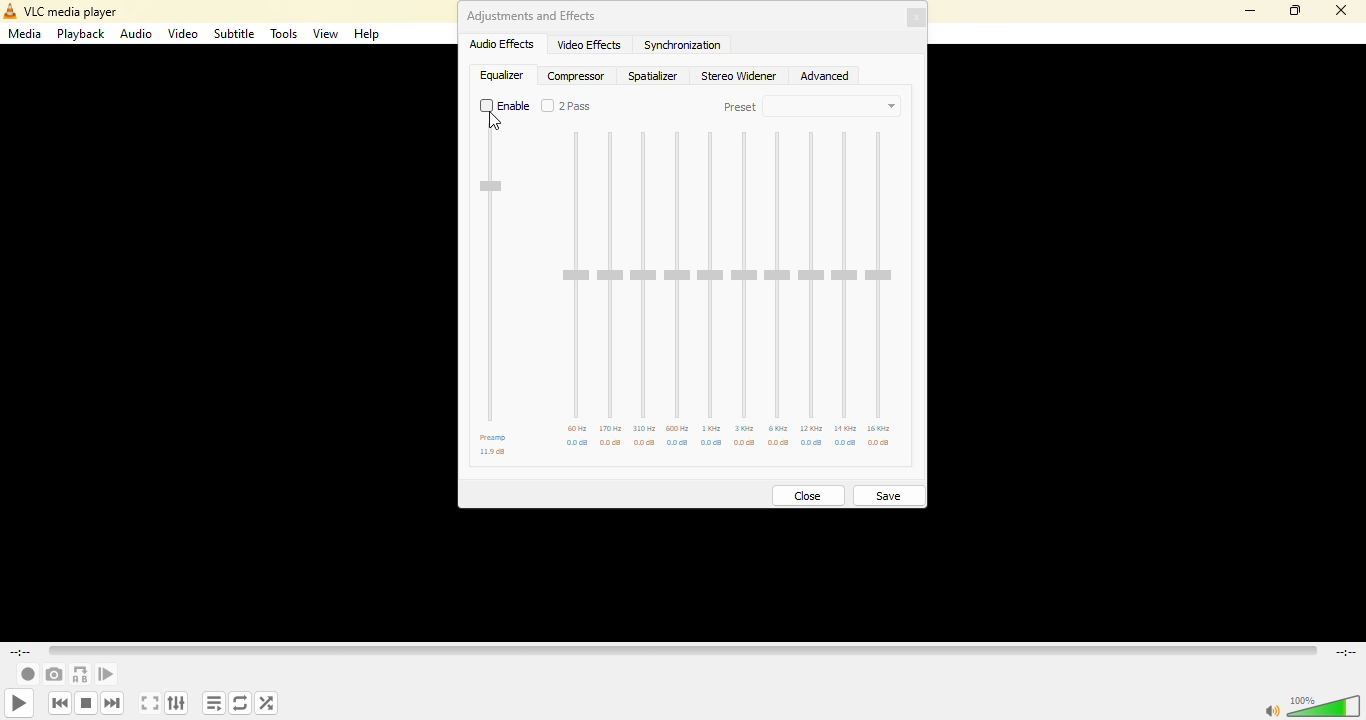 Image resolution: width=1366 pixels, height=720 pixels. What do you see at coordinates (1269, 712) in the screenshot?
I see `mute` at bounding box center [1269, 712].